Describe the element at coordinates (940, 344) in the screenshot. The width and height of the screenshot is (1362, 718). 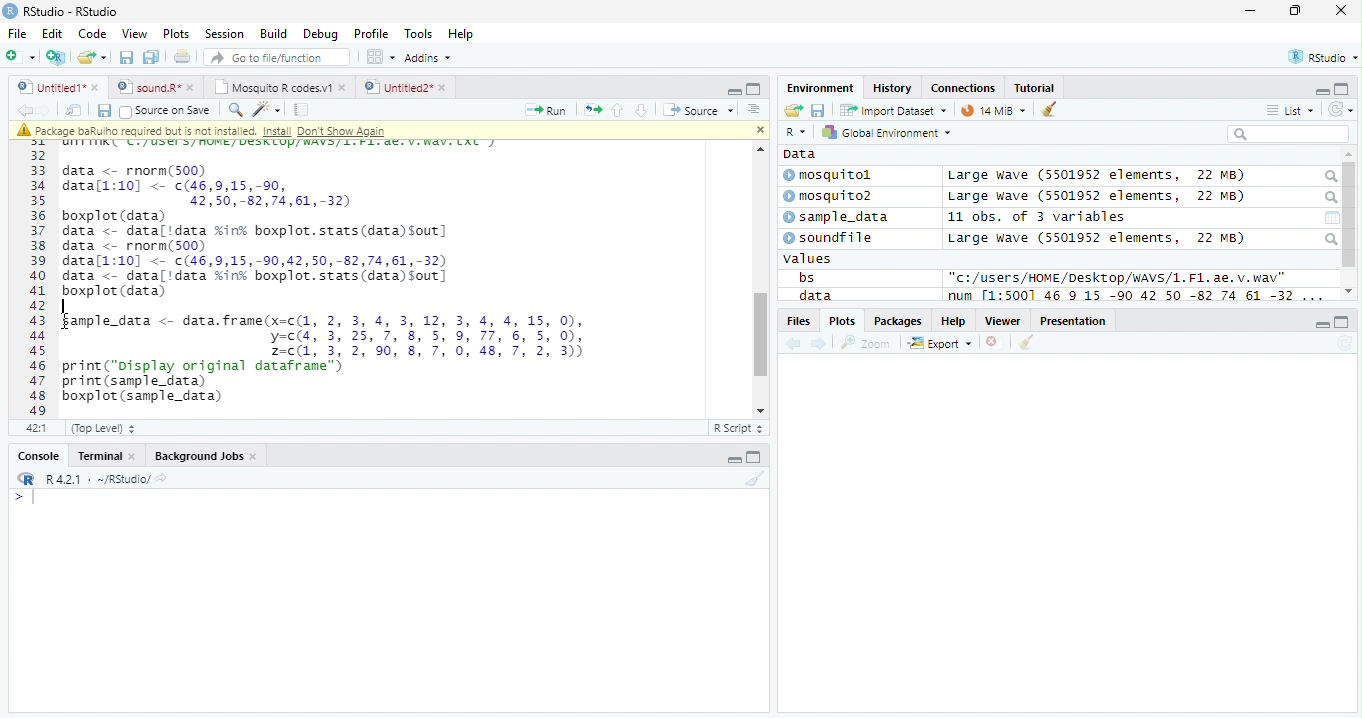
I see `Export` at that location.